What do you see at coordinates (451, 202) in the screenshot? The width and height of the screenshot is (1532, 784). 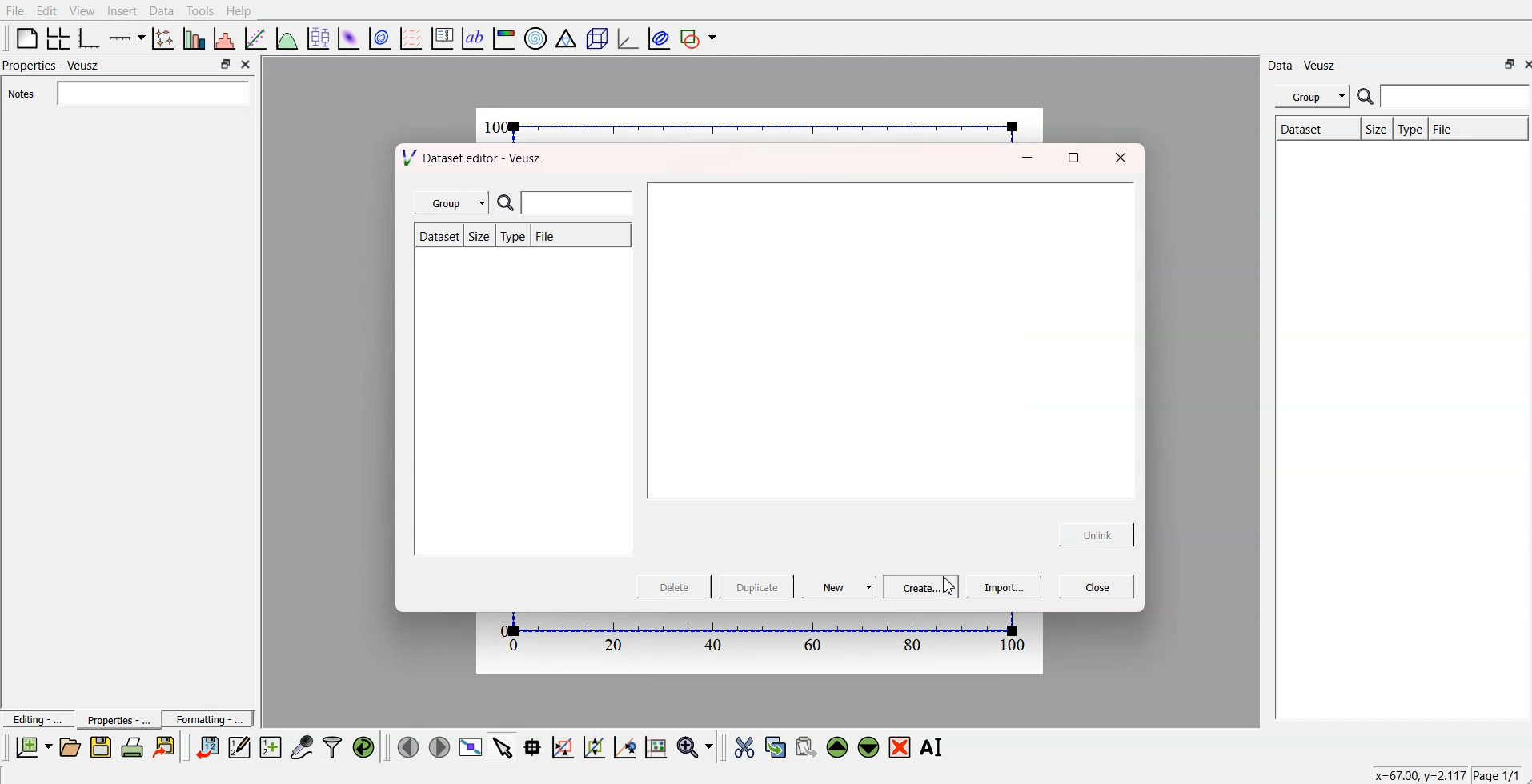 I see `Group` at bounding box center [451, 202].